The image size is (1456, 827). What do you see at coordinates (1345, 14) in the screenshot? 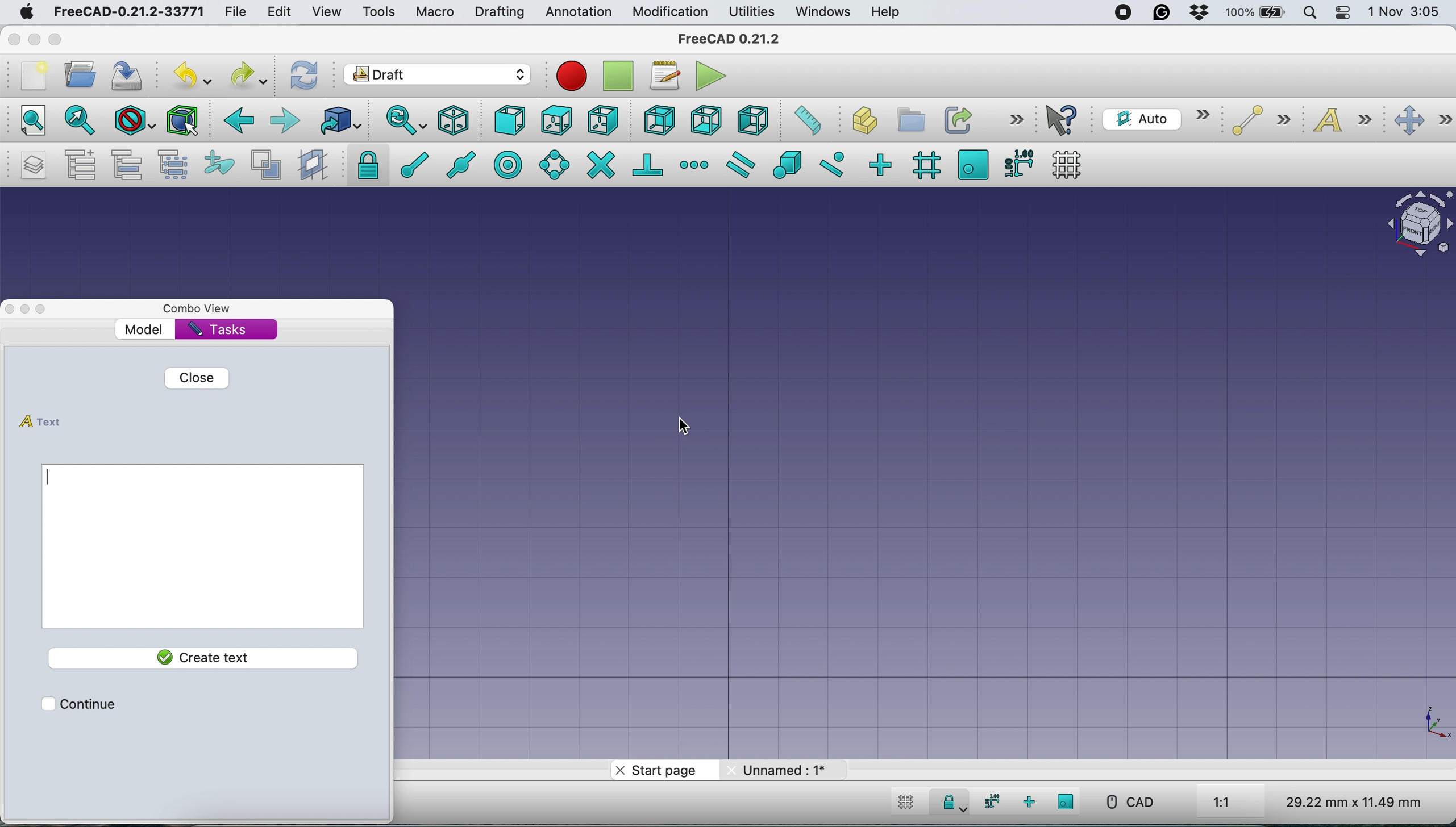
I see `control center` at bounding box center [1345, 14].